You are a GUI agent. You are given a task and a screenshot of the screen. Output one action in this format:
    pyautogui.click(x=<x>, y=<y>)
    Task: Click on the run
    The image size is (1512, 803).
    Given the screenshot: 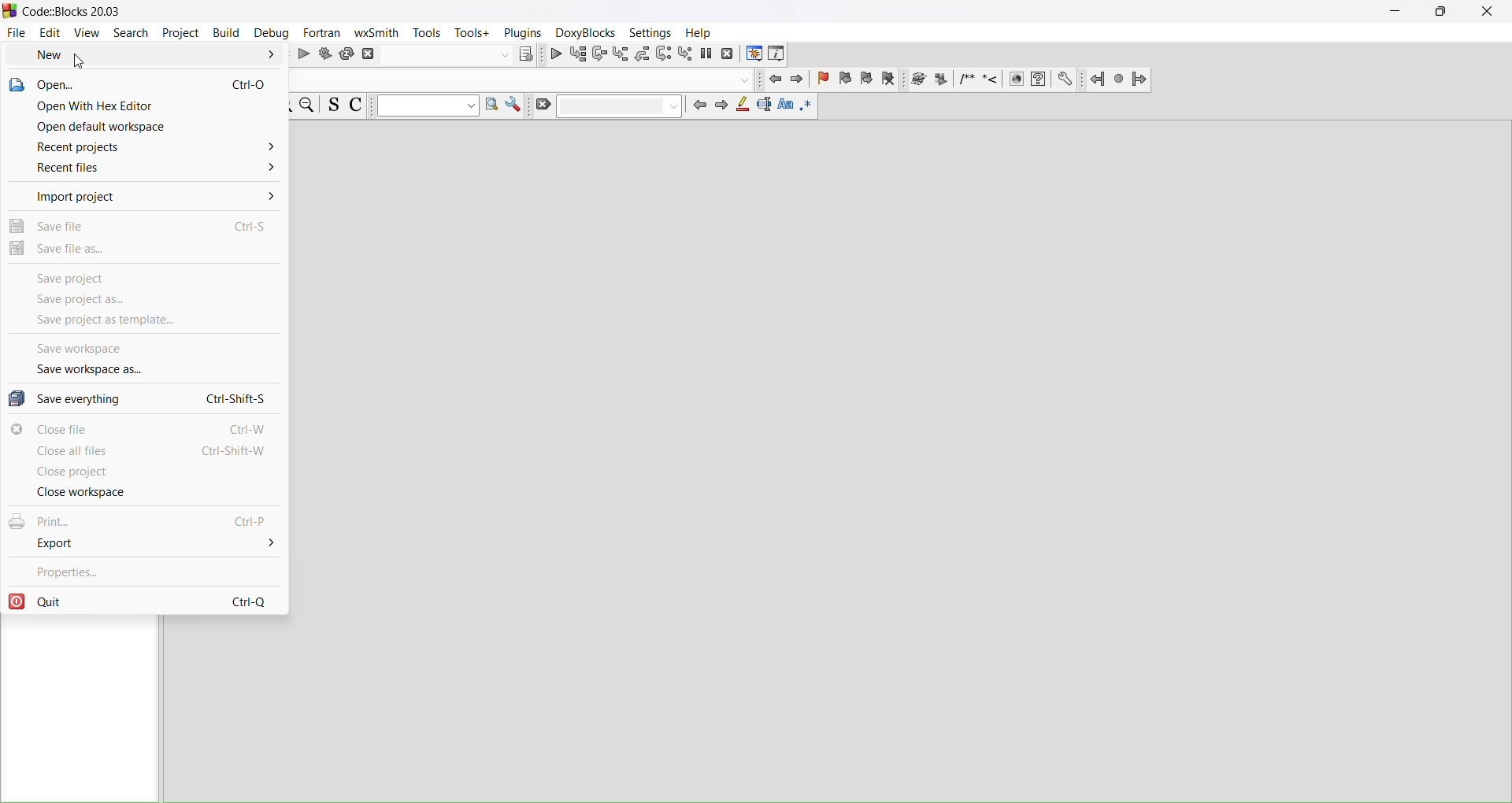 What is the action you would take?
    pyautogui.click(x=301, y=57)
    